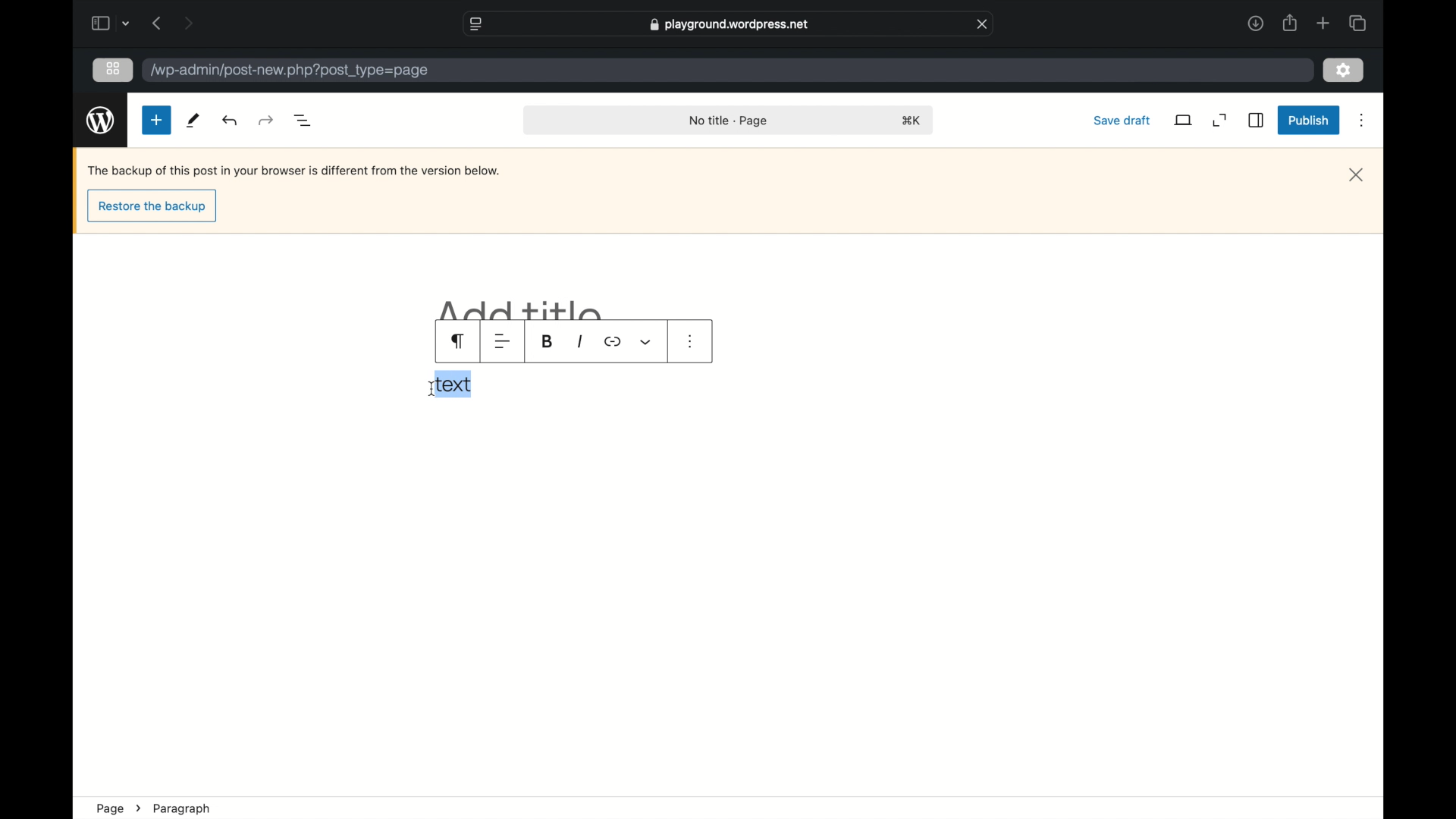 Image resolution: width=1456 pixels, height=819 pixels. Describe the element at coordinates (267, 120) in the screenshot. I see `undo` at that location.